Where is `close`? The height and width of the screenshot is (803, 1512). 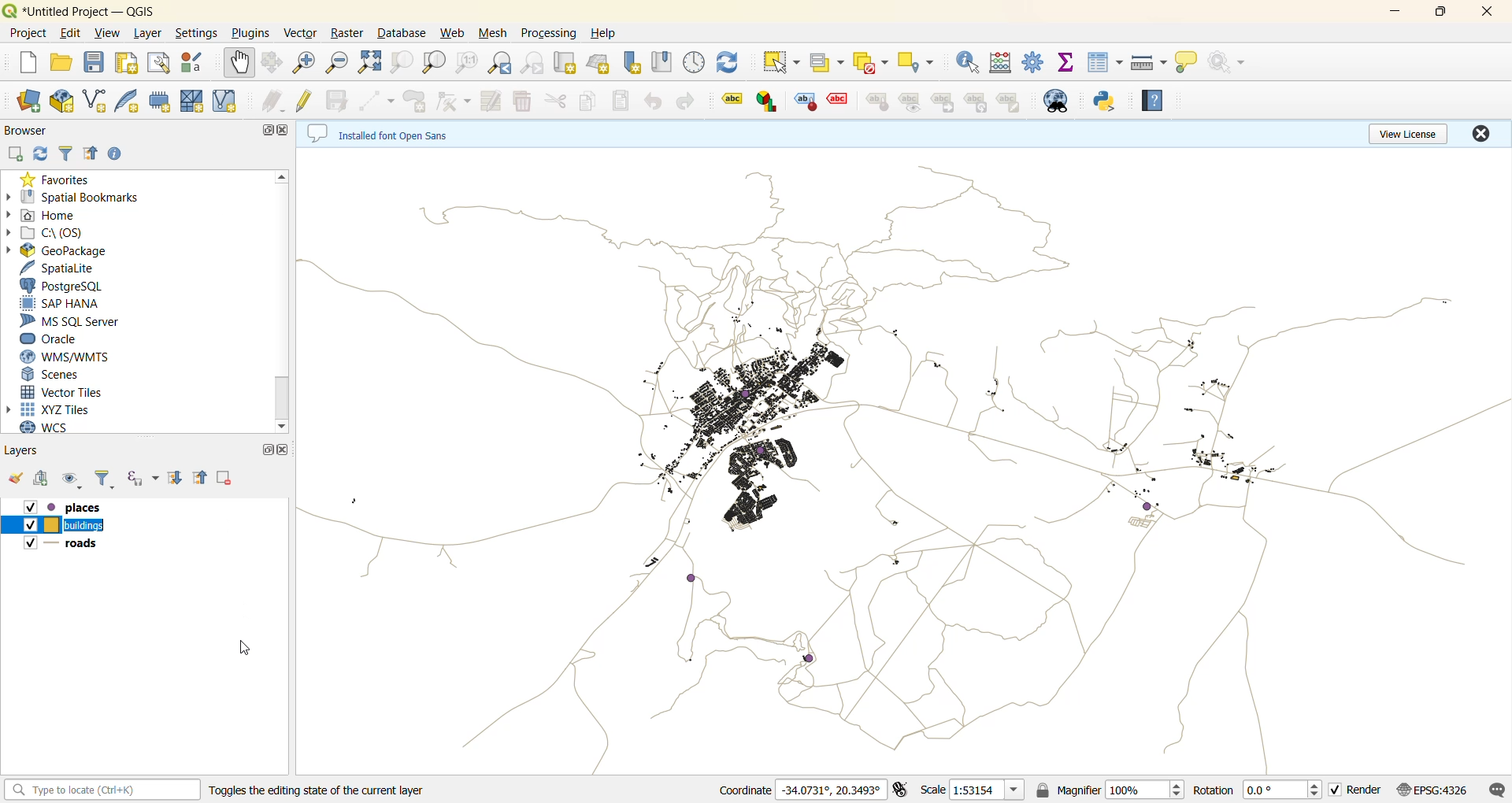 close is located at coordinates (284, 128).